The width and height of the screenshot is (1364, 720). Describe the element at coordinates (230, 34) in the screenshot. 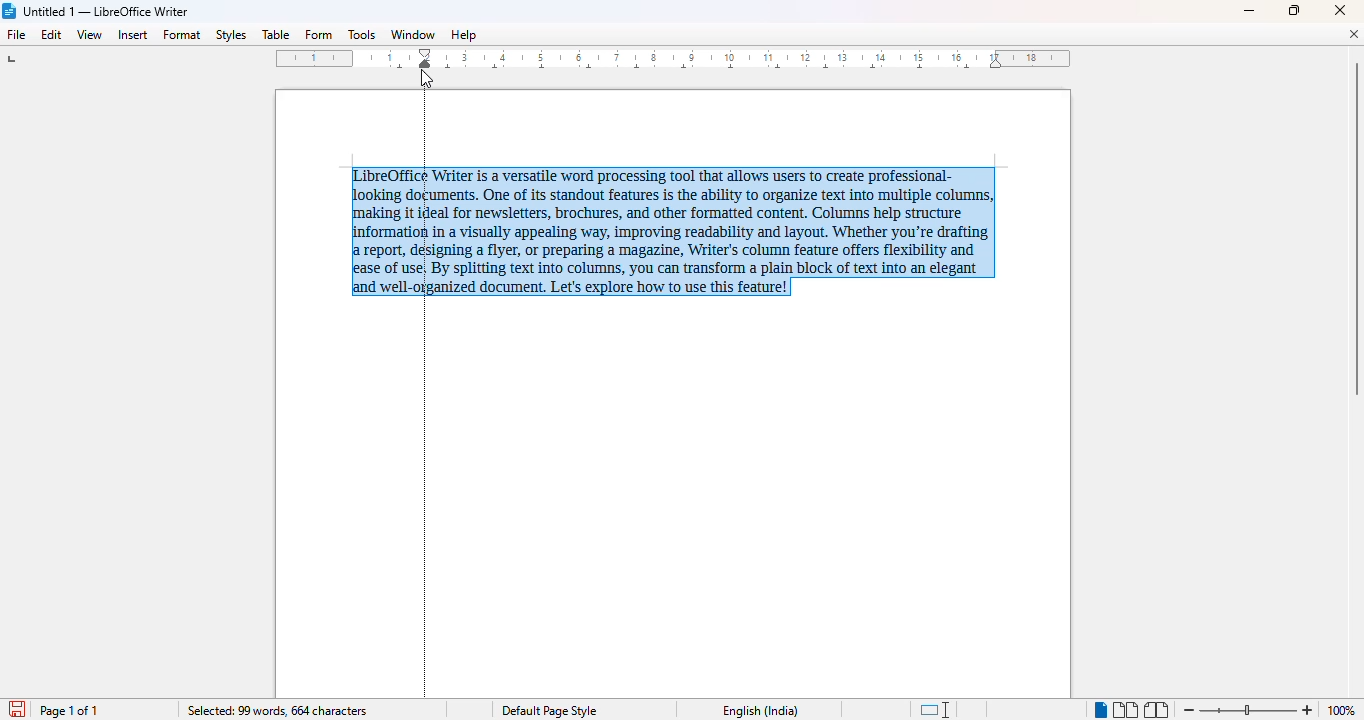

I see `styles` at that location.